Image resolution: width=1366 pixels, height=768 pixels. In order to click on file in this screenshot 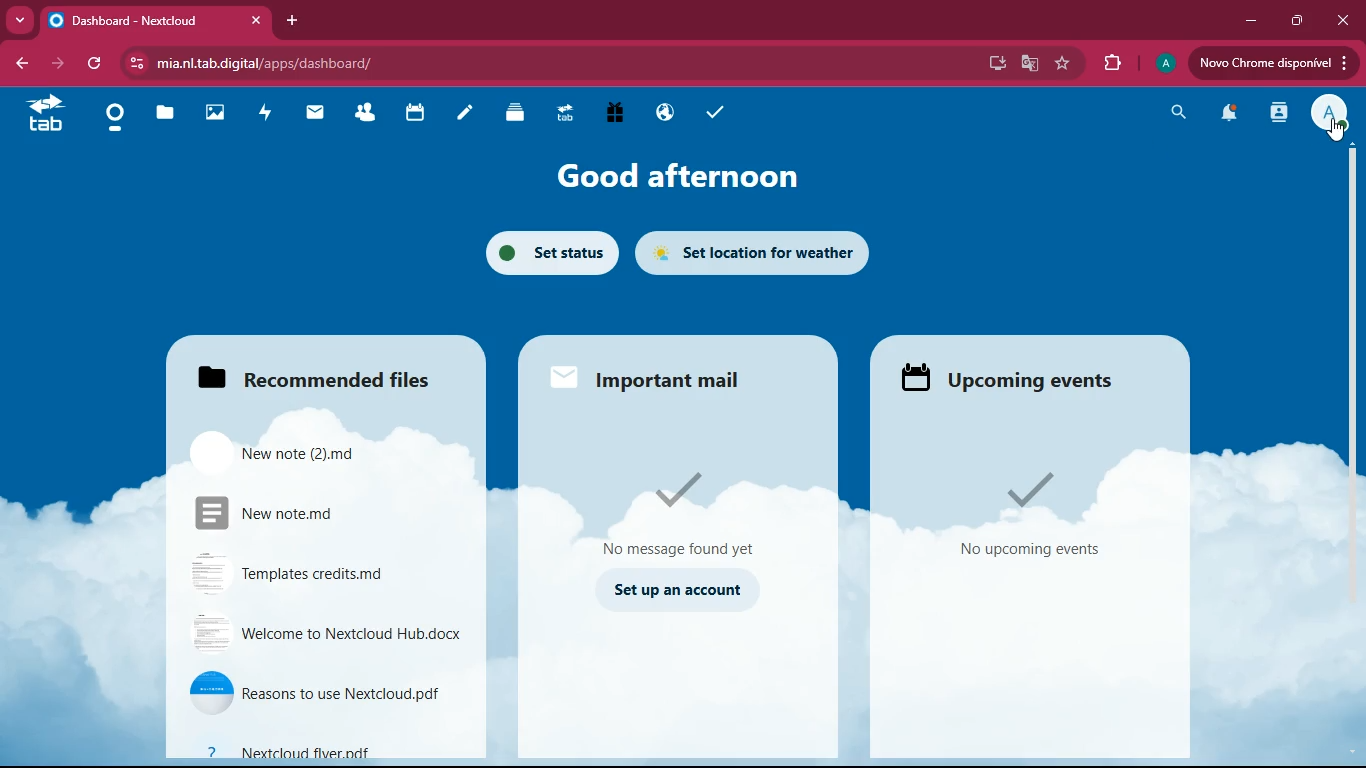, I will do `click(329, 749)`.